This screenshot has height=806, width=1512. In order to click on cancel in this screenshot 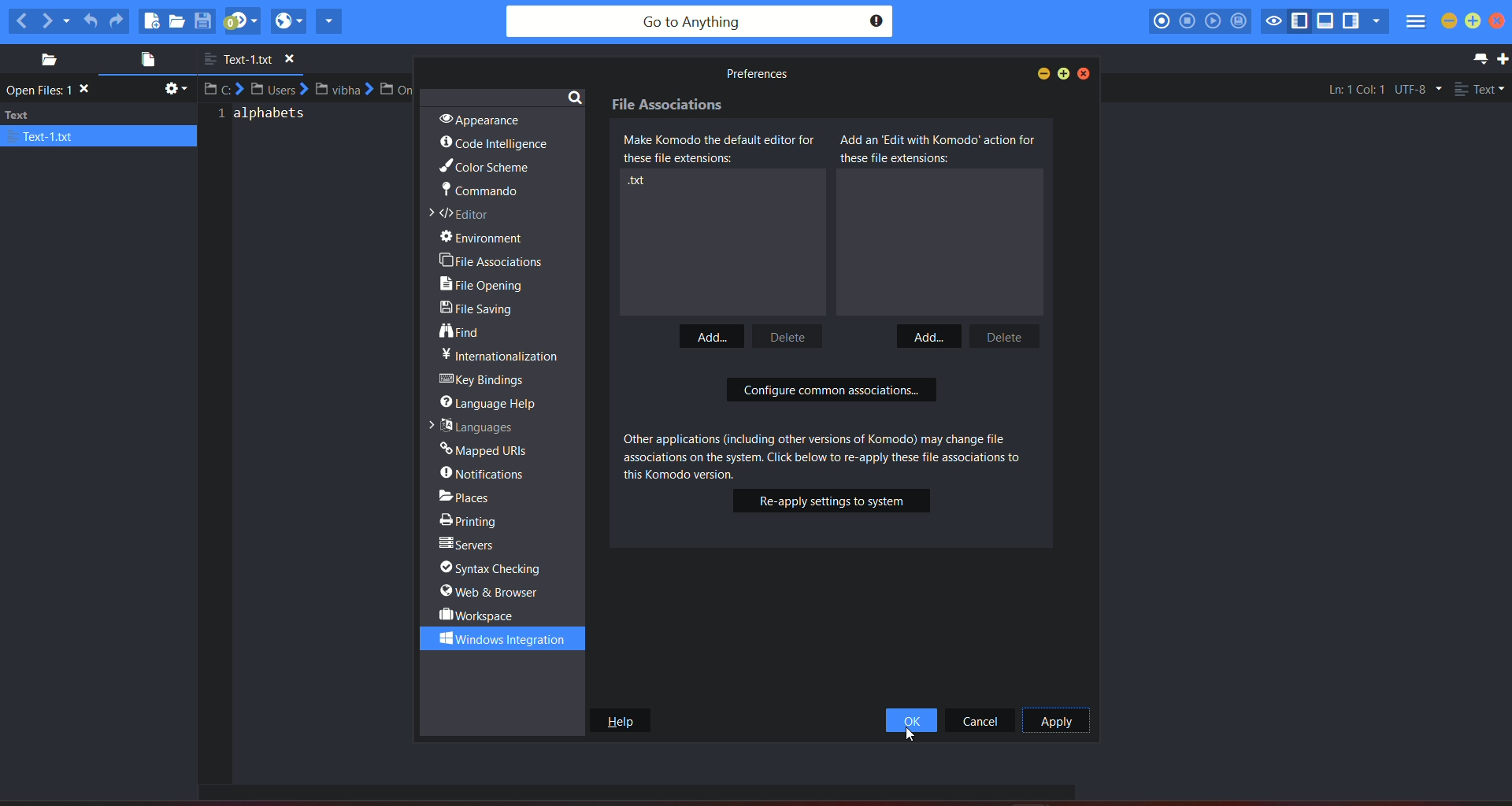, I will do `click(981, 720)`.